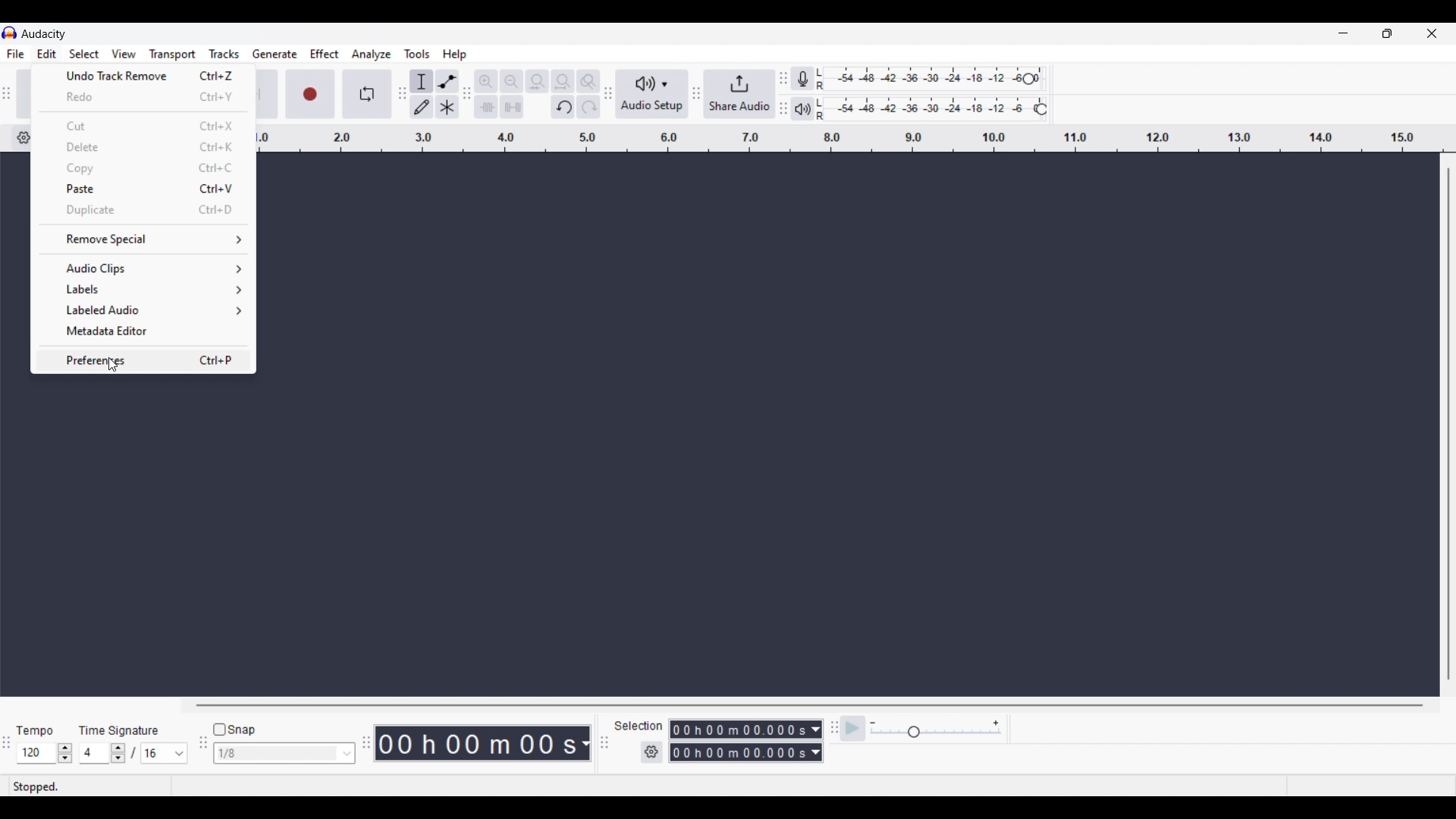 This screenshot has width=1456, height=819. Describe the element at coordinates (739, 94) in the screenshot. I see `Share audio` at that location.